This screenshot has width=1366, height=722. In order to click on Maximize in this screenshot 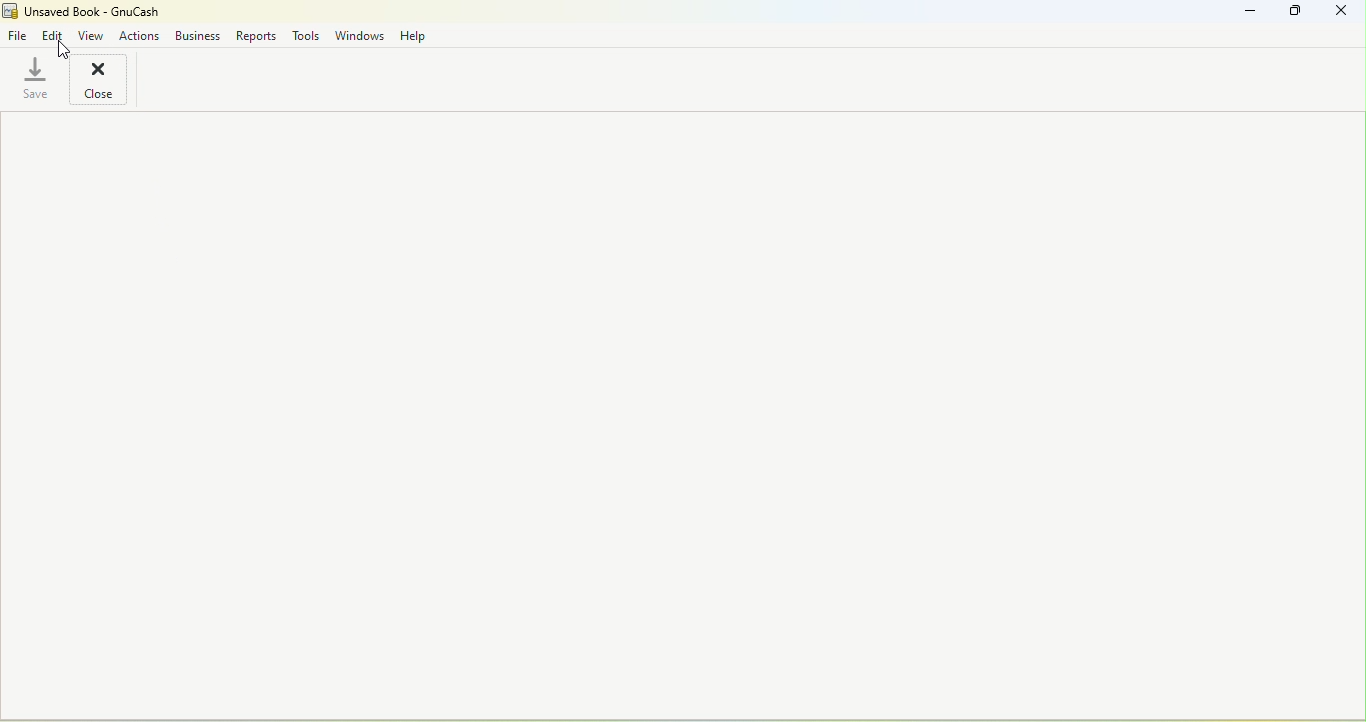, I will do `click(1301, 15)`.